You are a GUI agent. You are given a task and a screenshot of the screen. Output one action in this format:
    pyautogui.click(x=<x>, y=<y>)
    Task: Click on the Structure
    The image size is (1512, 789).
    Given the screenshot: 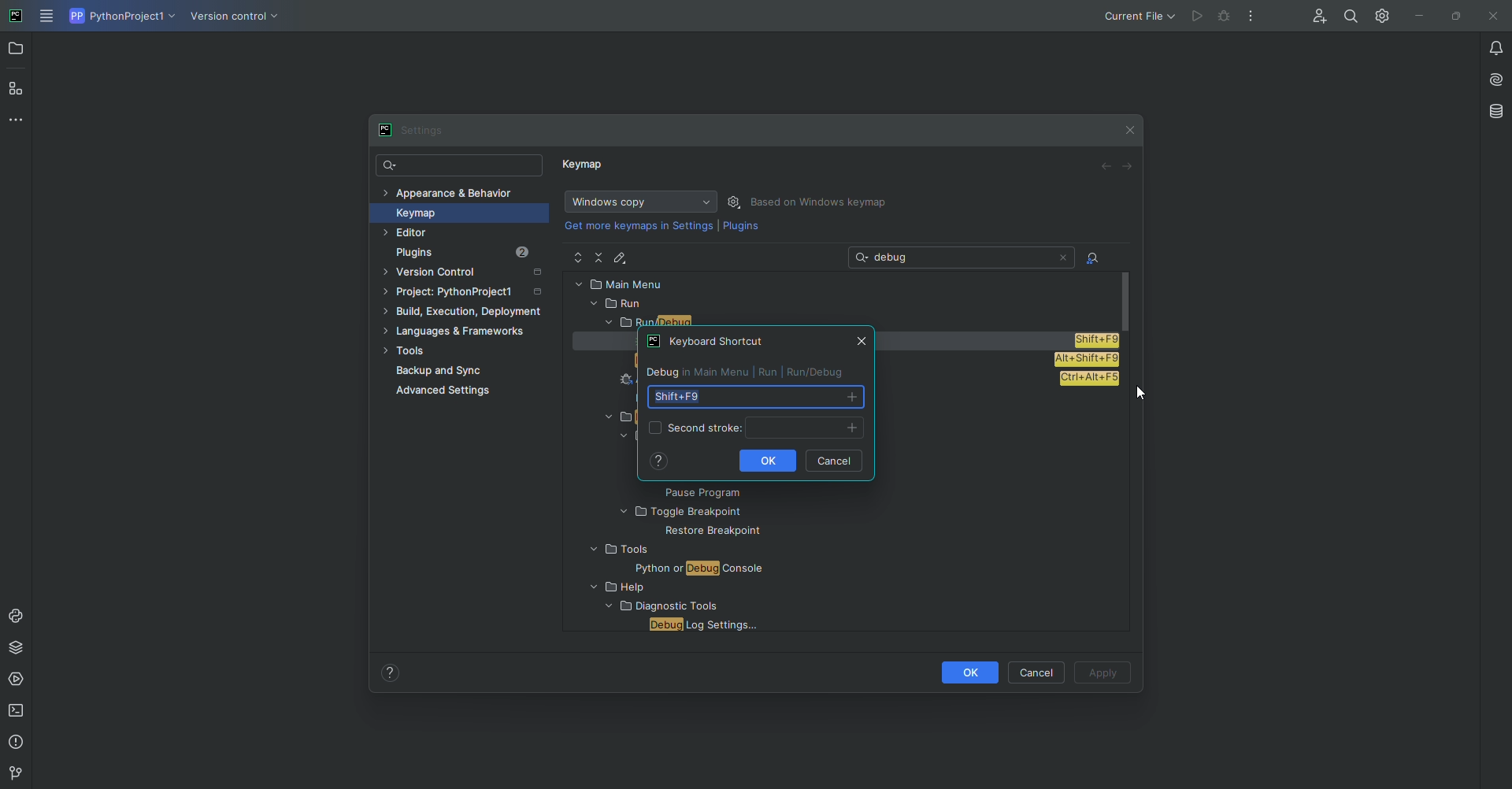 What is the action you would take?
    pyautogui.click(x=17, y=87)
    